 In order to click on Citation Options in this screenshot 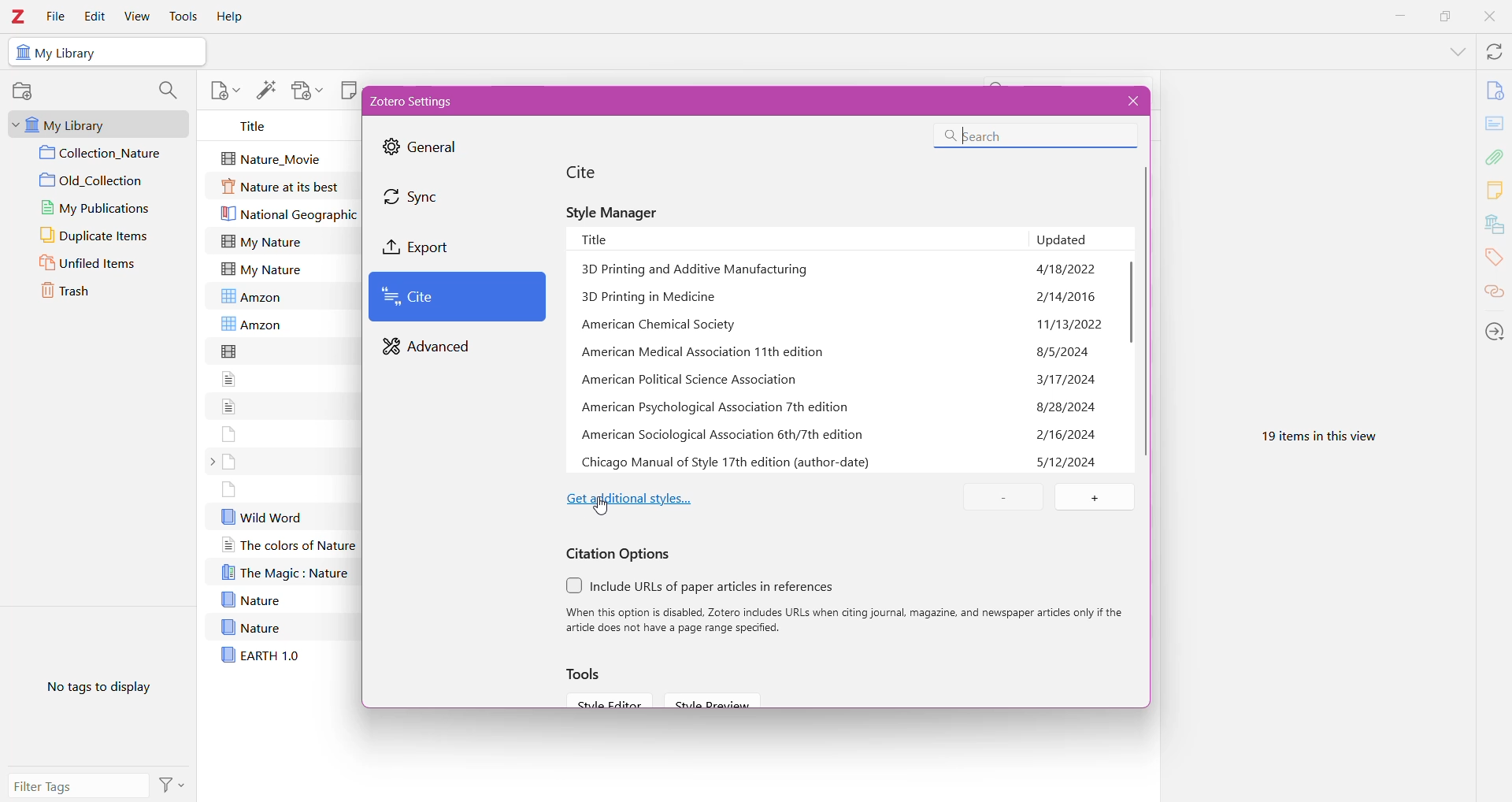, I will do `click(620, 554)`.